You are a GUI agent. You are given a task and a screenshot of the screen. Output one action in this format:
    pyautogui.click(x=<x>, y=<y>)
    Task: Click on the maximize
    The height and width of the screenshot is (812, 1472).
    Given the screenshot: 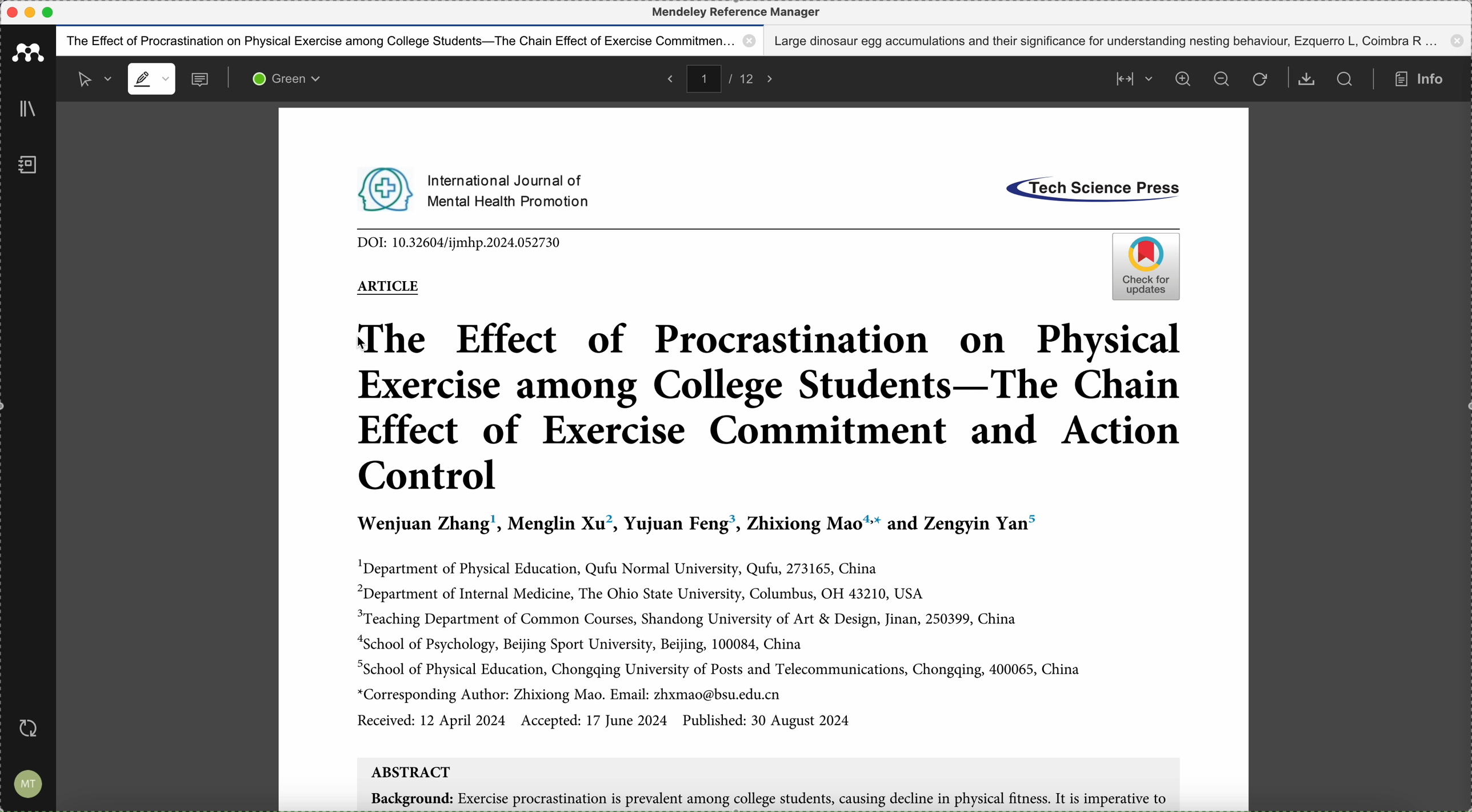 What is the action you would take?
    pyautogui.click(x=49, y=13)
    